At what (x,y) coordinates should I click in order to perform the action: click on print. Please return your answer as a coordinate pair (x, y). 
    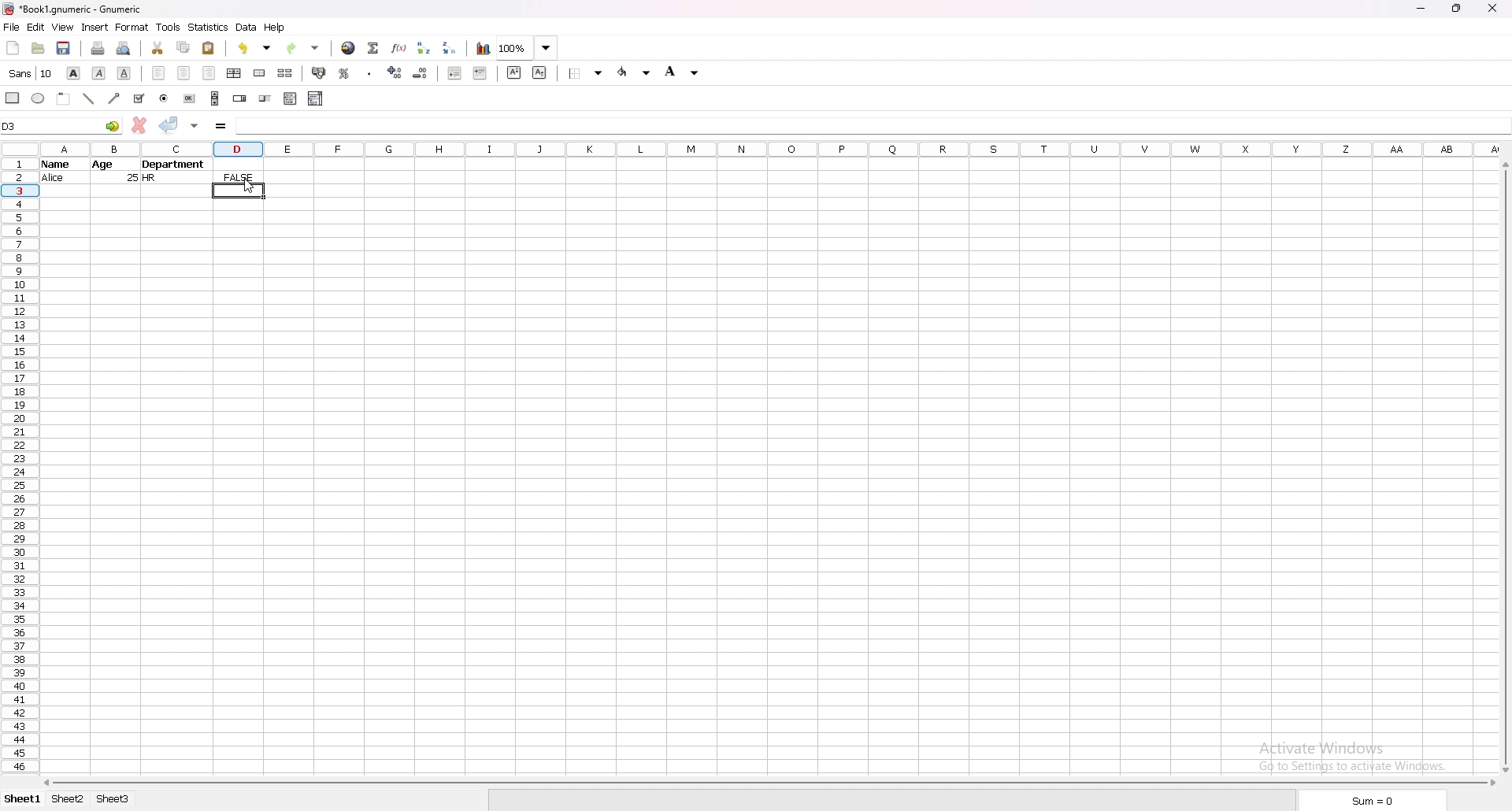
    Looking at the image, I should click on (98, 48).